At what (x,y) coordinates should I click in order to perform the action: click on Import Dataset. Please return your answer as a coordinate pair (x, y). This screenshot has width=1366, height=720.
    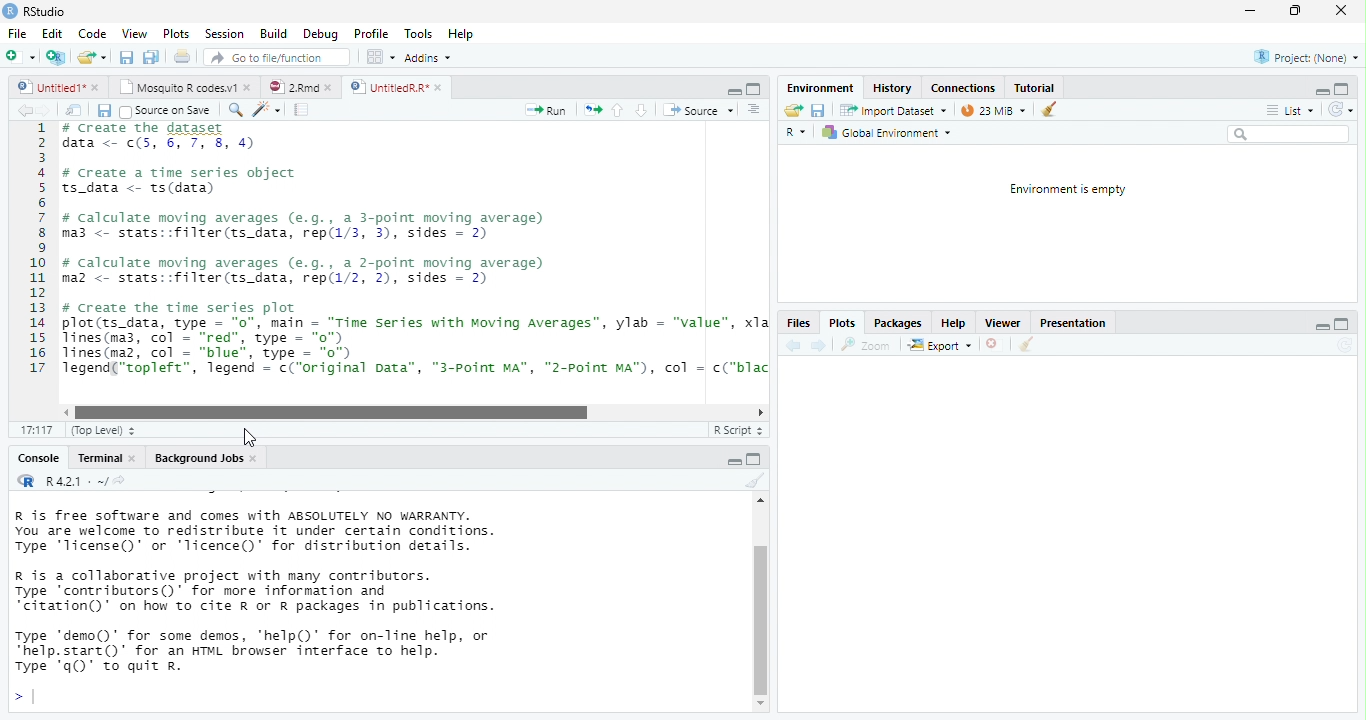
    Looking at the image, I should click on (895, 110).